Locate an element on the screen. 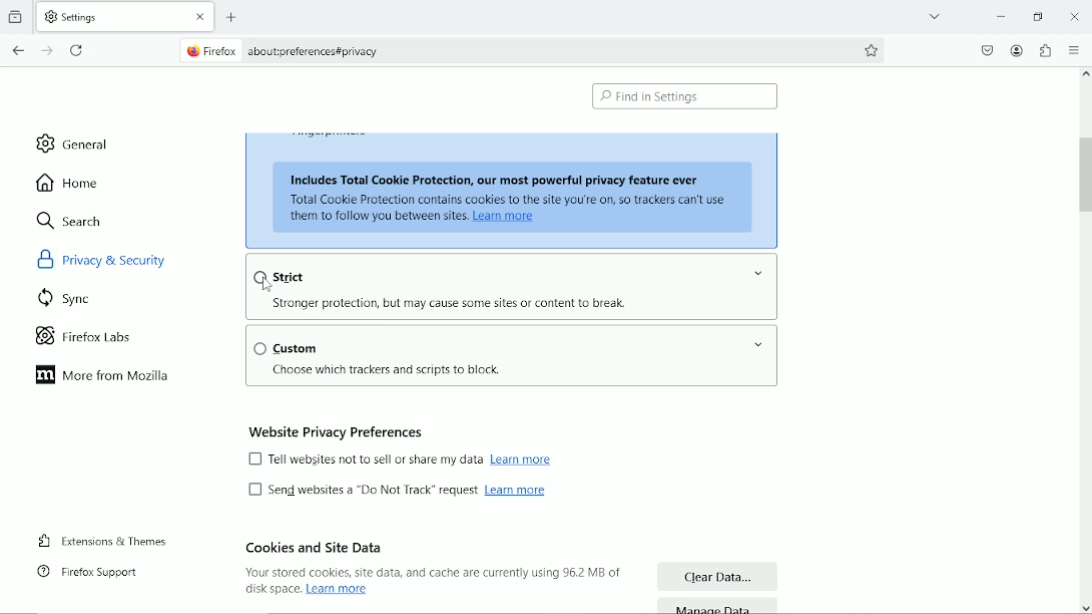 The width and height of the screenshot is (1092, 614). find in settings is located at coordinates (685, 97).